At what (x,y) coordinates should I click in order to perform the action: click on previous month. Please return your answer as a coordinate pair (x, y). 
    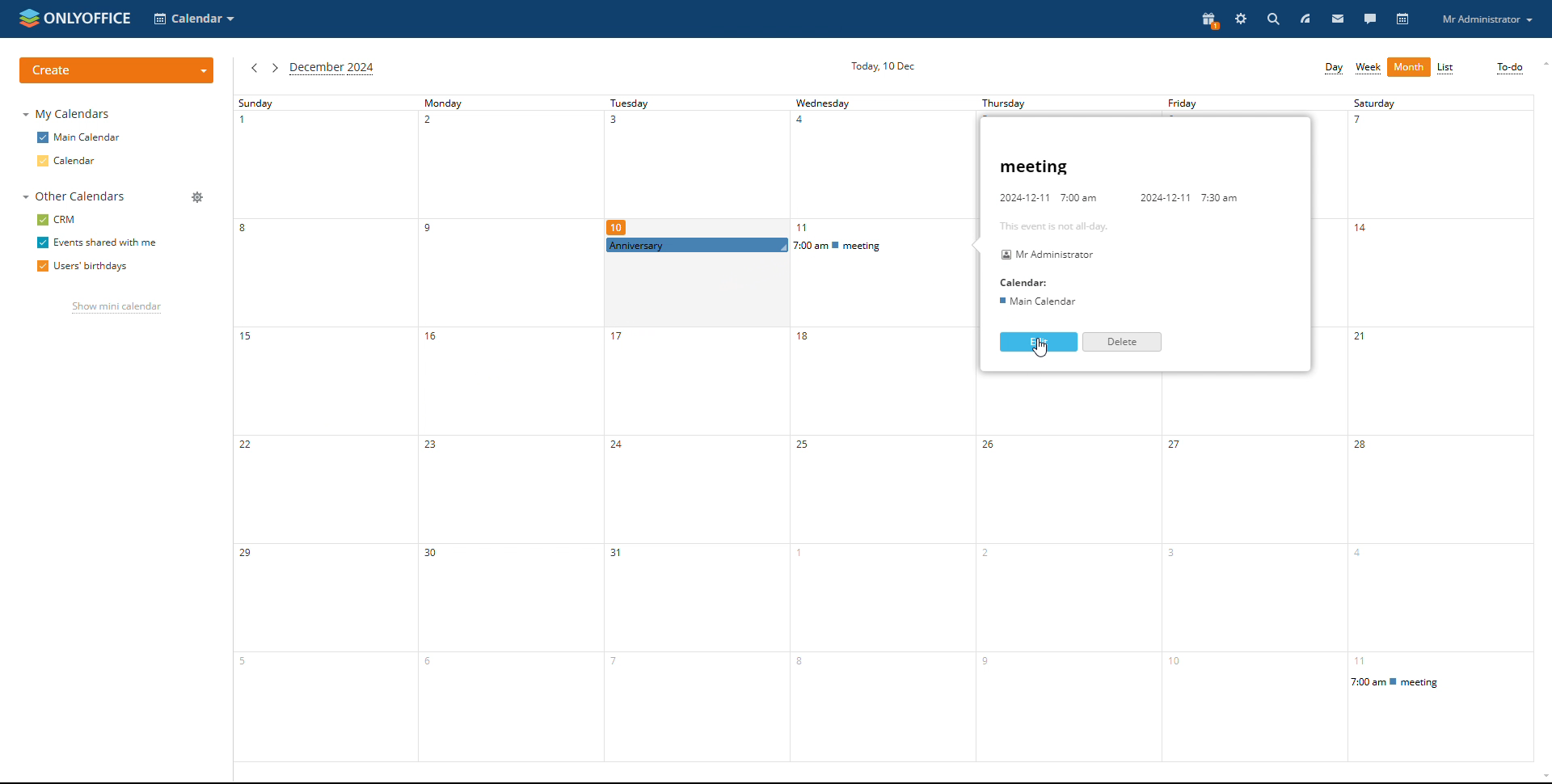
    Looking at the image, I should click on (253, 69).